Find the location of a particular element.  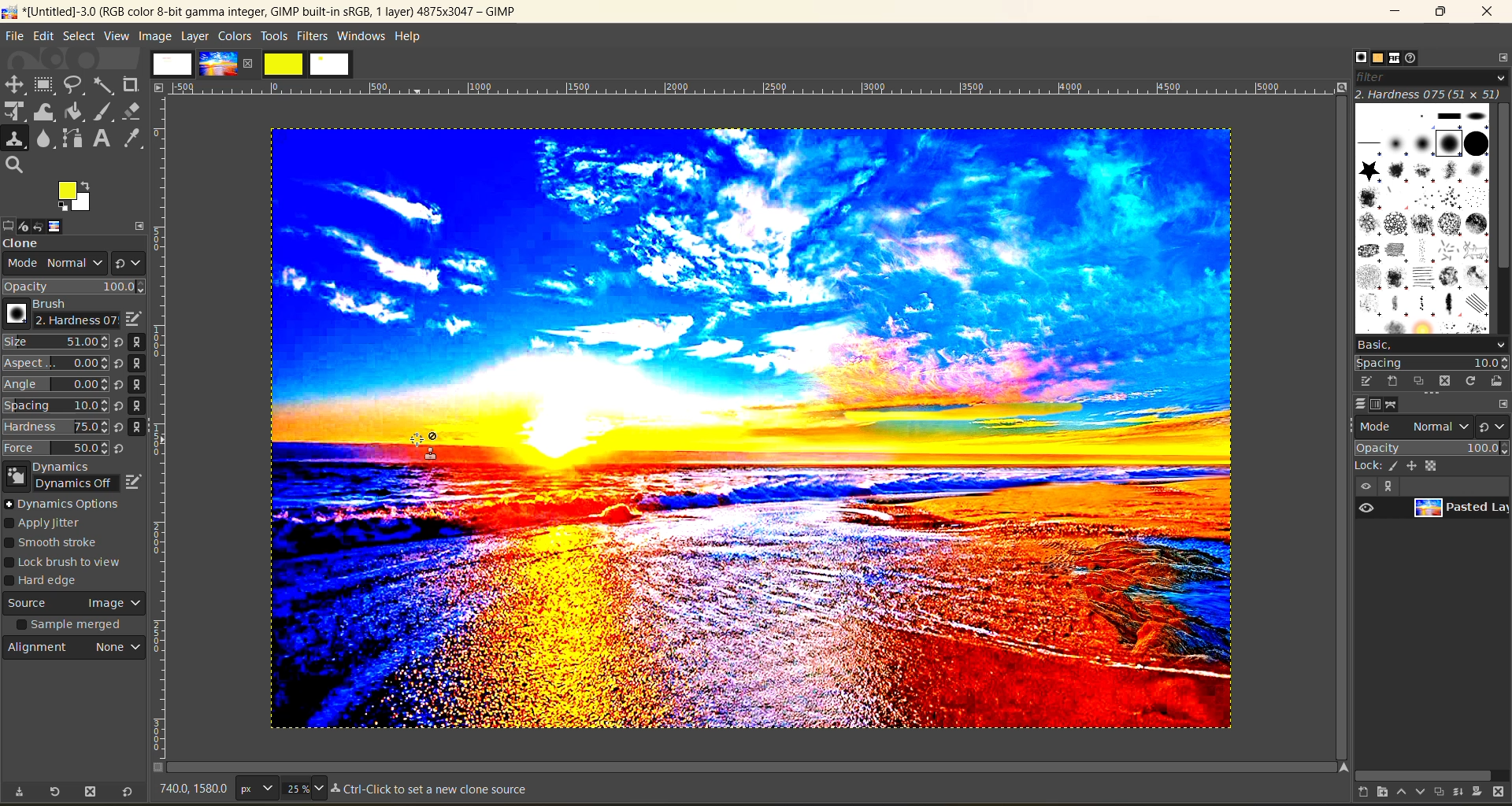

reset brush size is located at coordinates (121, 396).